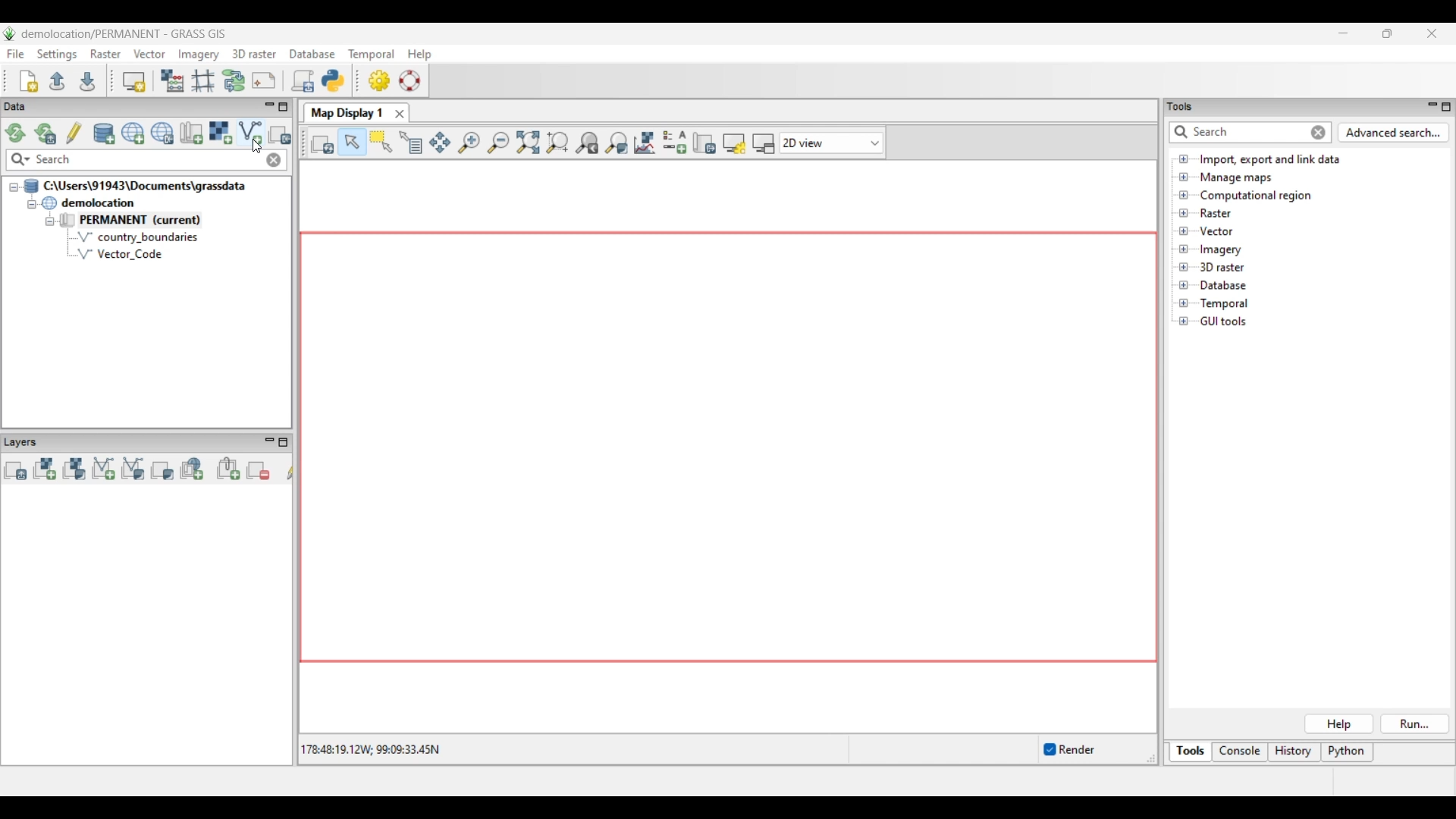 The width and height of the screenshot is (1456, 819). I want to click on Click to open files under Imagery, so click(1183, 249).